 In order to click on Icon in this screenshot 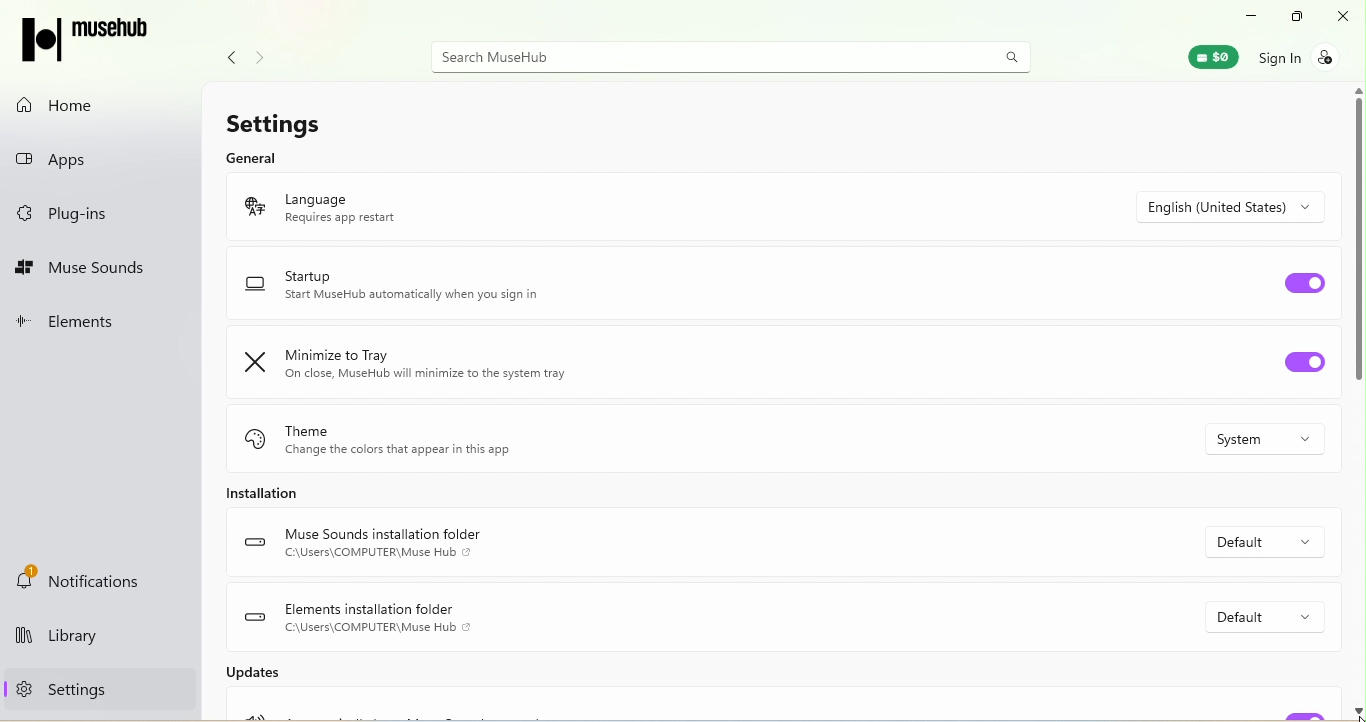, I will do `click(253, 616)`.